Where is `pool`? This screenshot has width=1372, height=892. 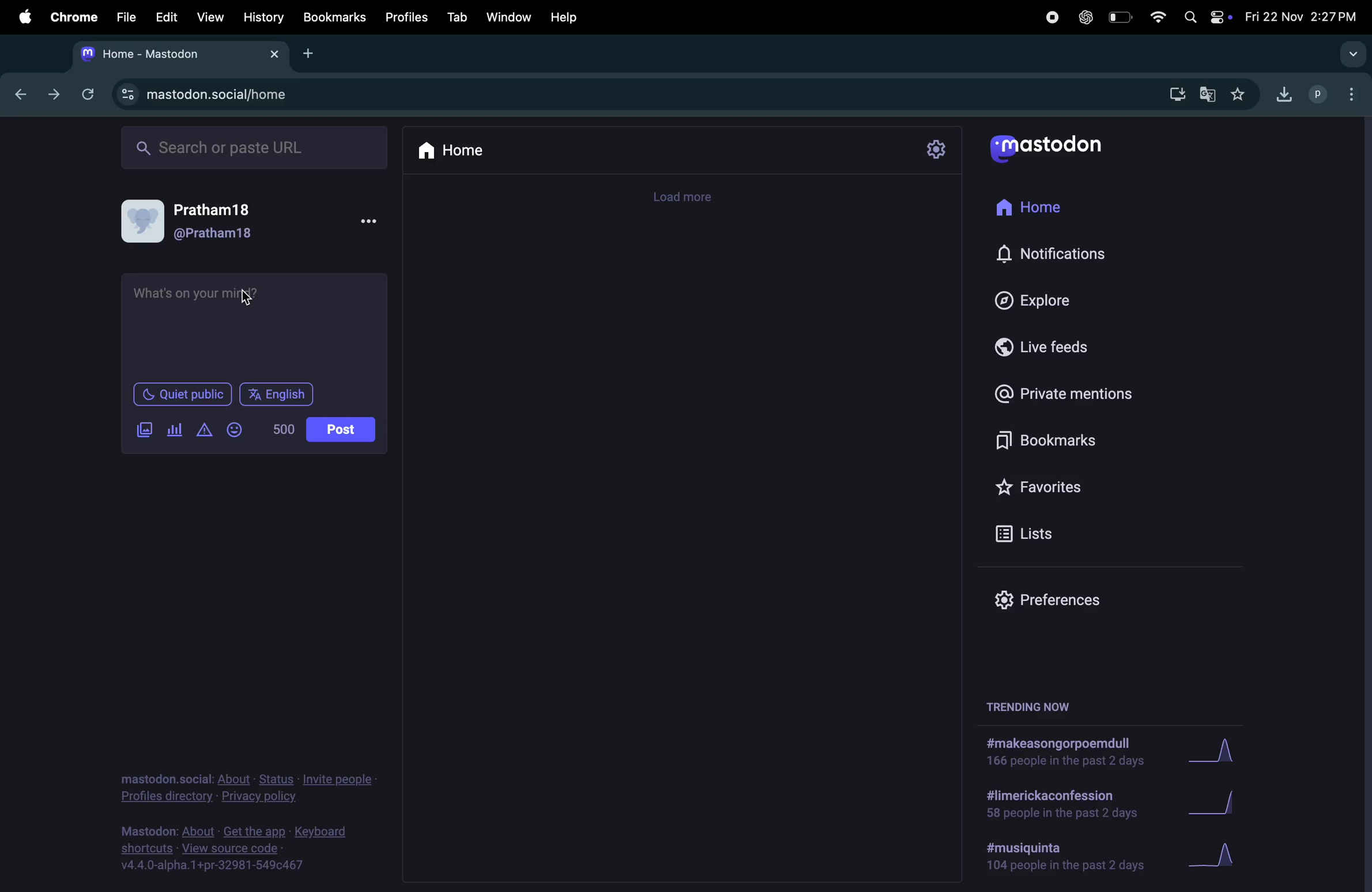 pool is located at coordinates (177, 429).